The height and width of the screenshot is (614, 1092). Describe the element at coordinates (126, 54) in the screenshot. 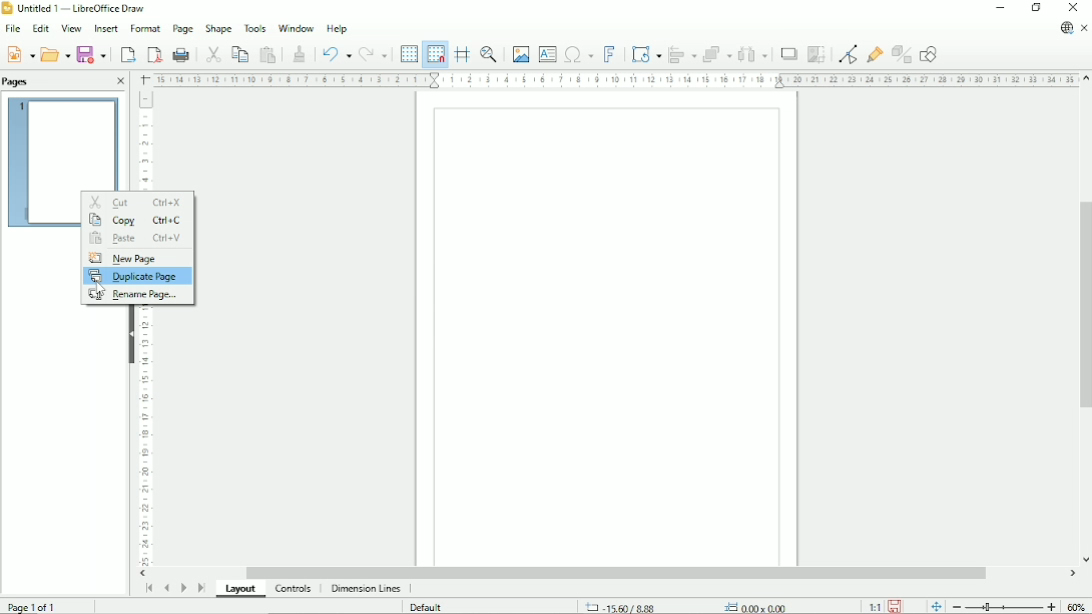

I see `Export` at that location.